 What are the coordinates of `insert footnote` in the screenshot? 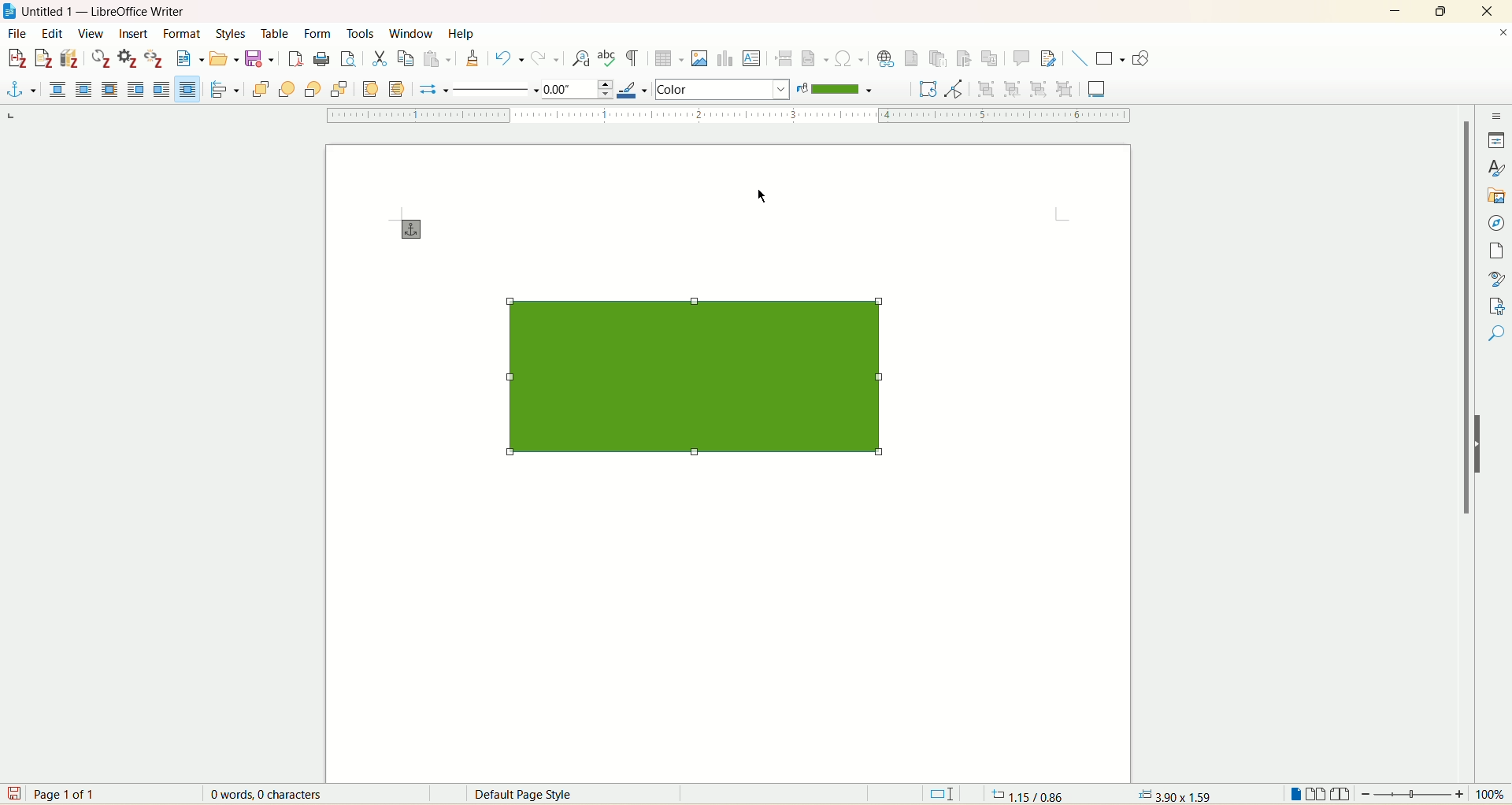 It's located at (911, 59).